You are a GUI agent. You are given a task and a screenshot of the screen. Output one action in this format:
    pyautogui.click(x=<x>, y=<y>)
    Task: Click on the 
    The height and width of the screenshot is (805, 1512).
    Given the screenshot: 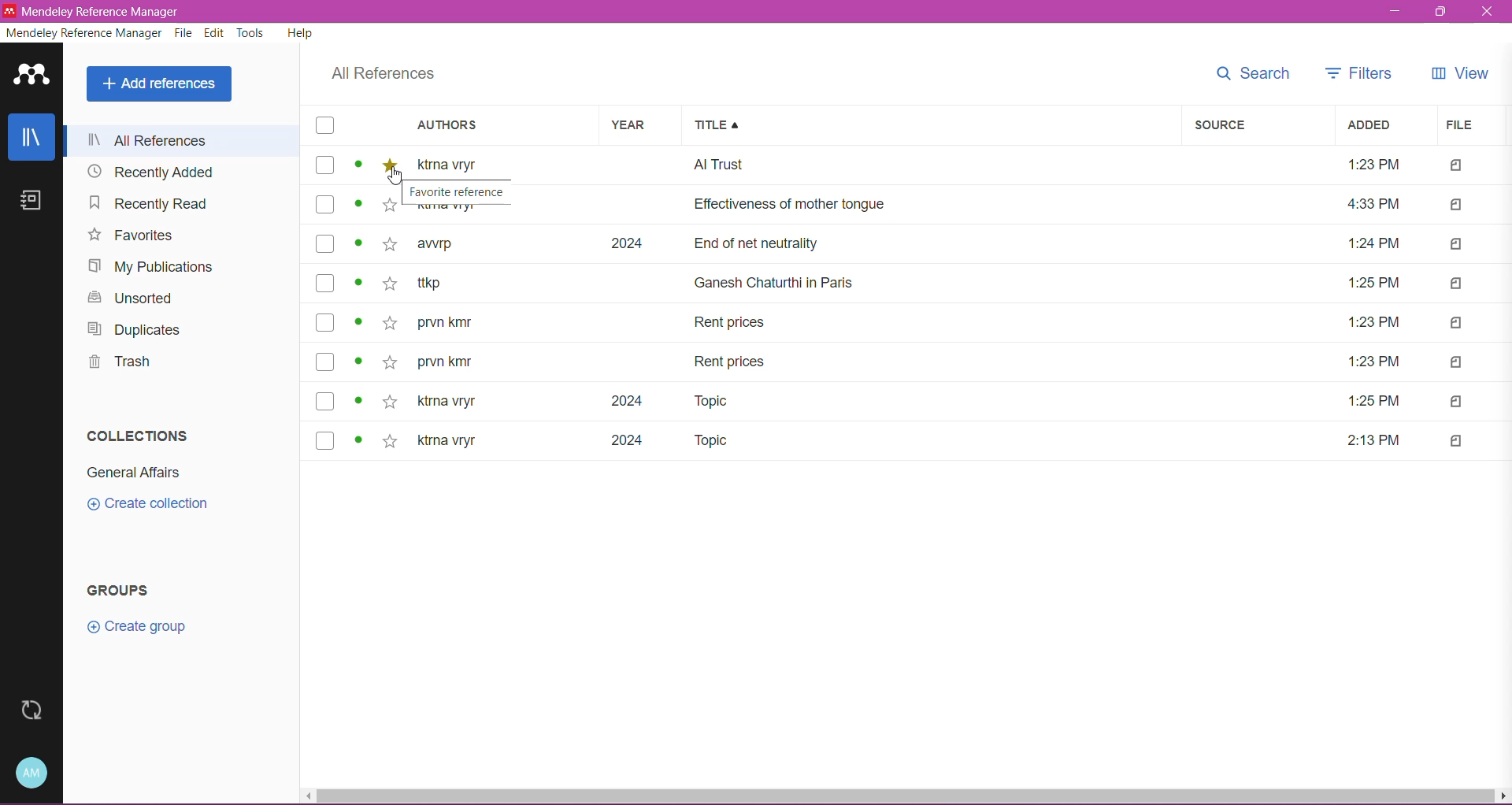 What is the action you would take?
    pyautogui.click(x=145, y=203)
    